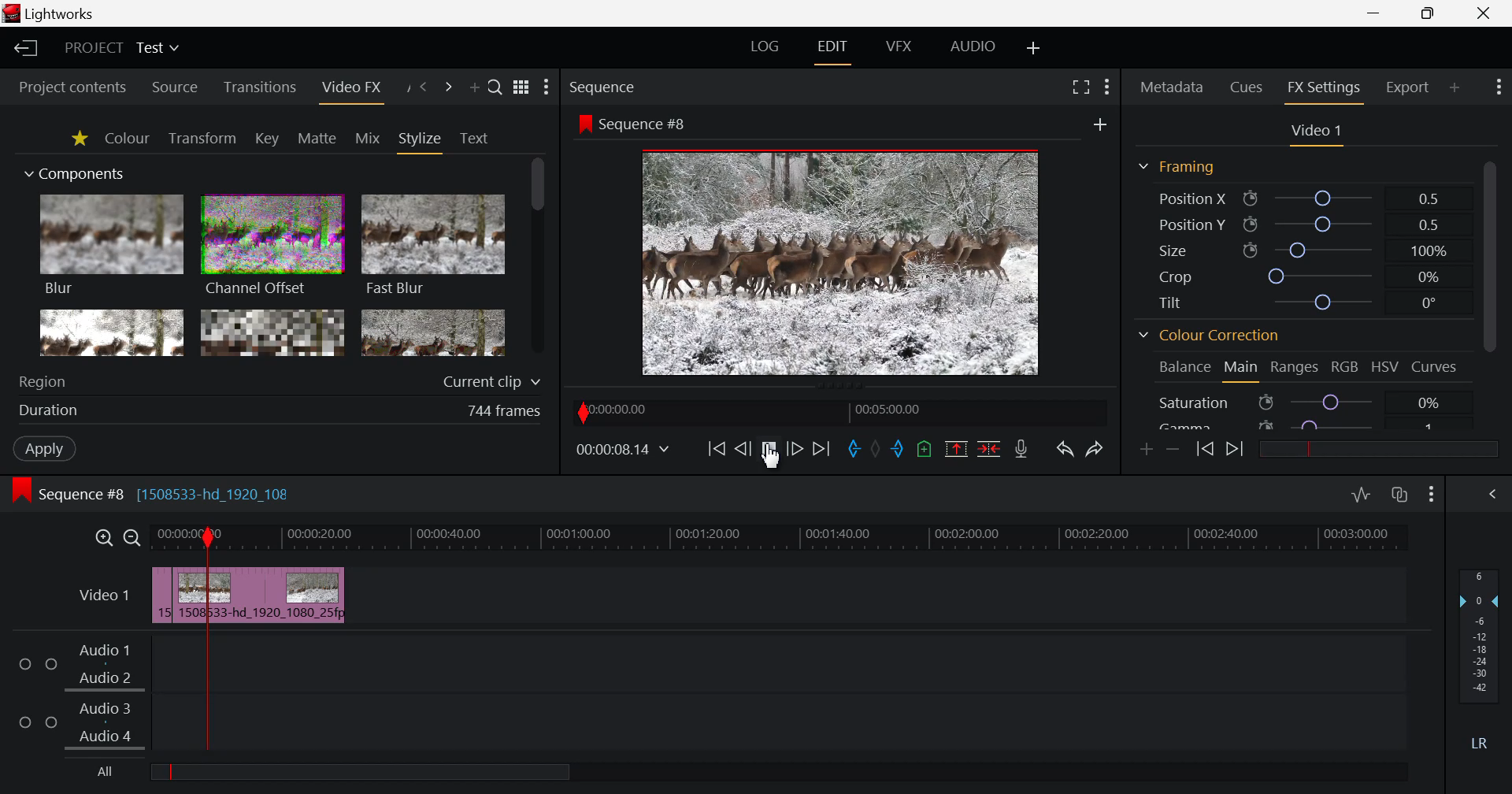 The image size is (1512, 794). I want to click on RGB, so click(1346, 366).